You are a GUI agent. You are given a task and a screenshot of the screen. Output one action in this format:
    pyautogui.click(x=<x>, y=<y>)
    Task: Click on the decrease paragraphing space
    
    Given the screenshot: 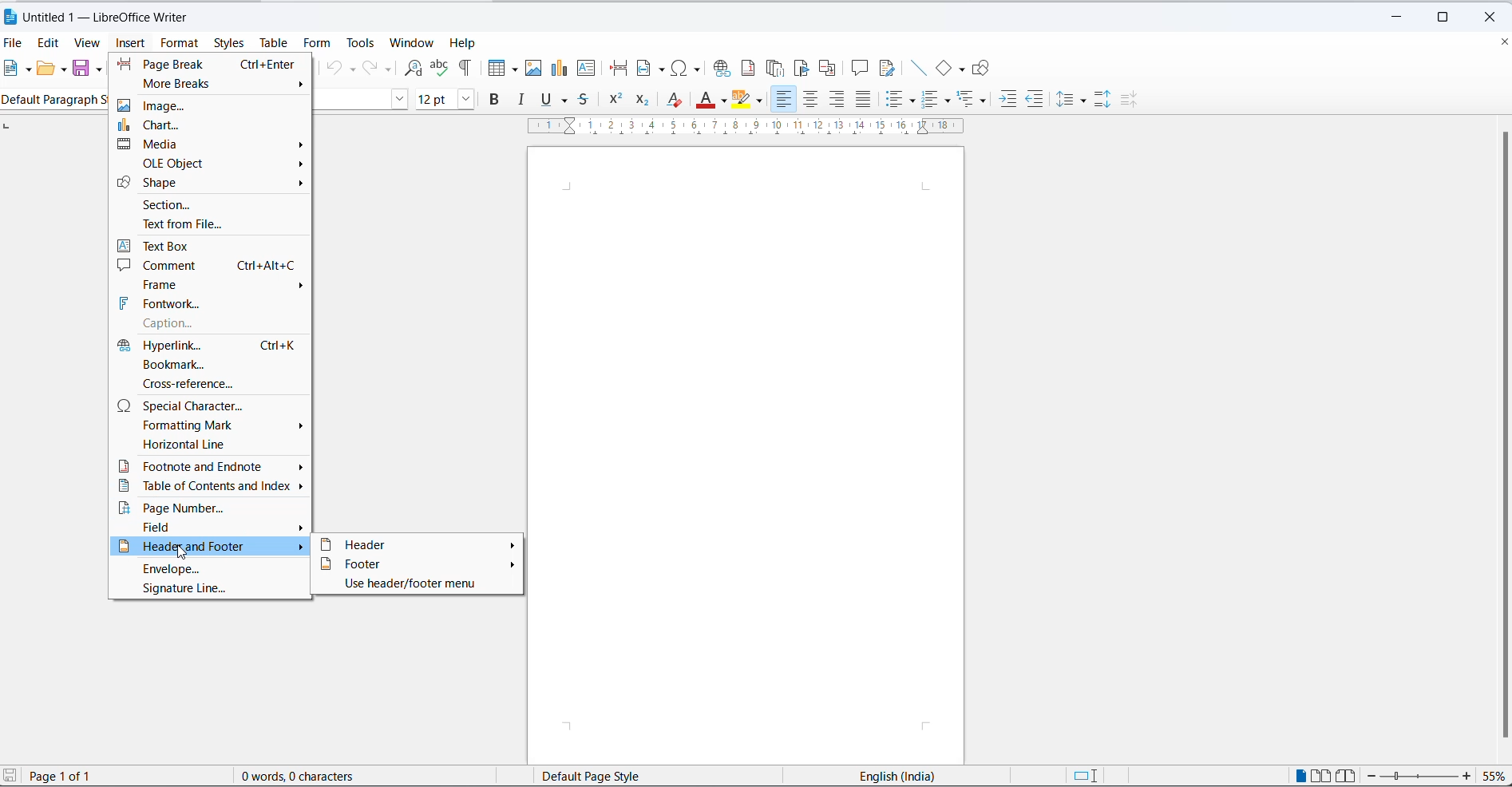 What is the action you would take?
    pyautogui.click(x=1134, y=102)
    